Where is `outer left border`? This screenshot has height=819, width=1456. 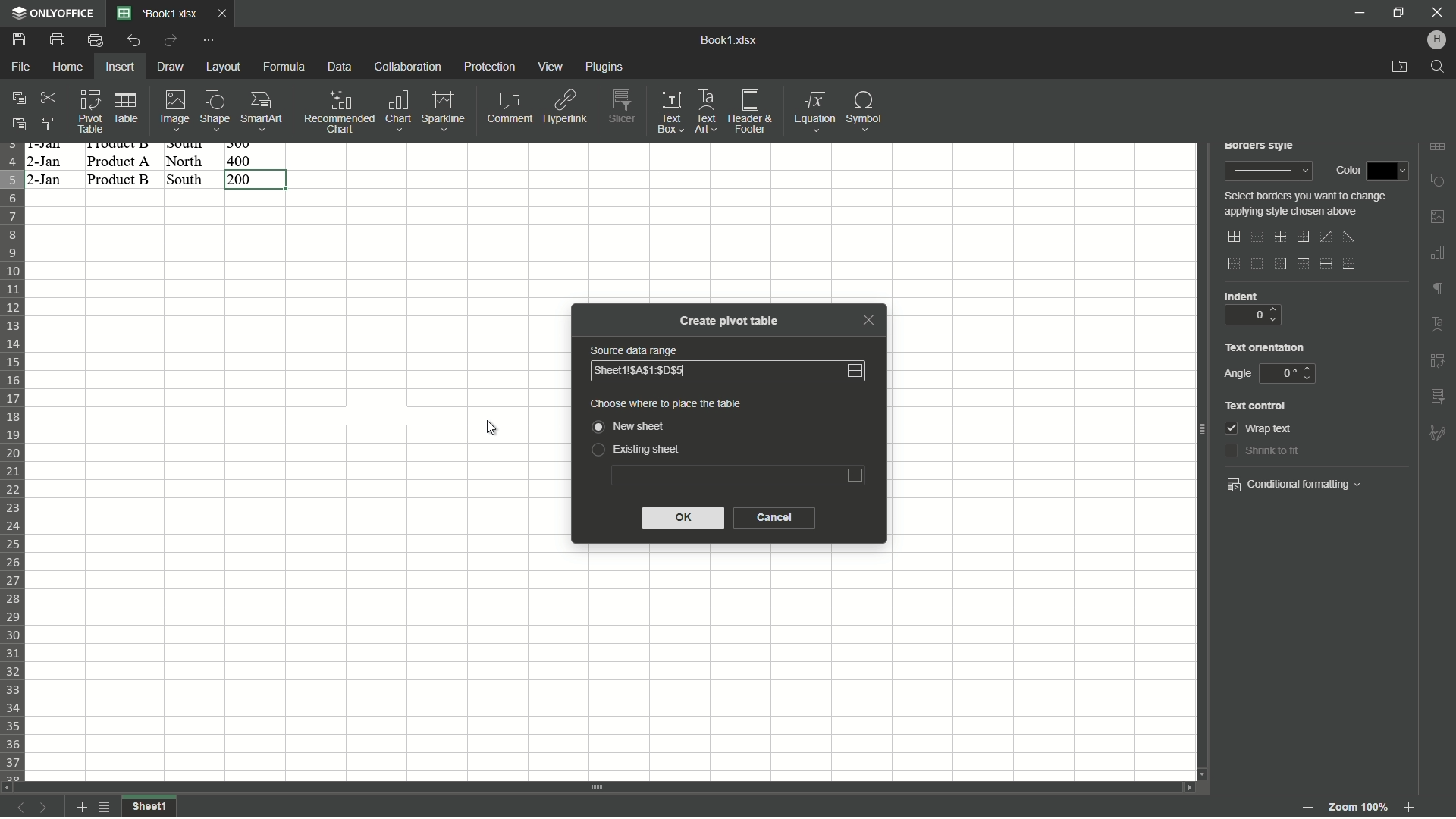
outer left border is located at coordinates (1234, 262).